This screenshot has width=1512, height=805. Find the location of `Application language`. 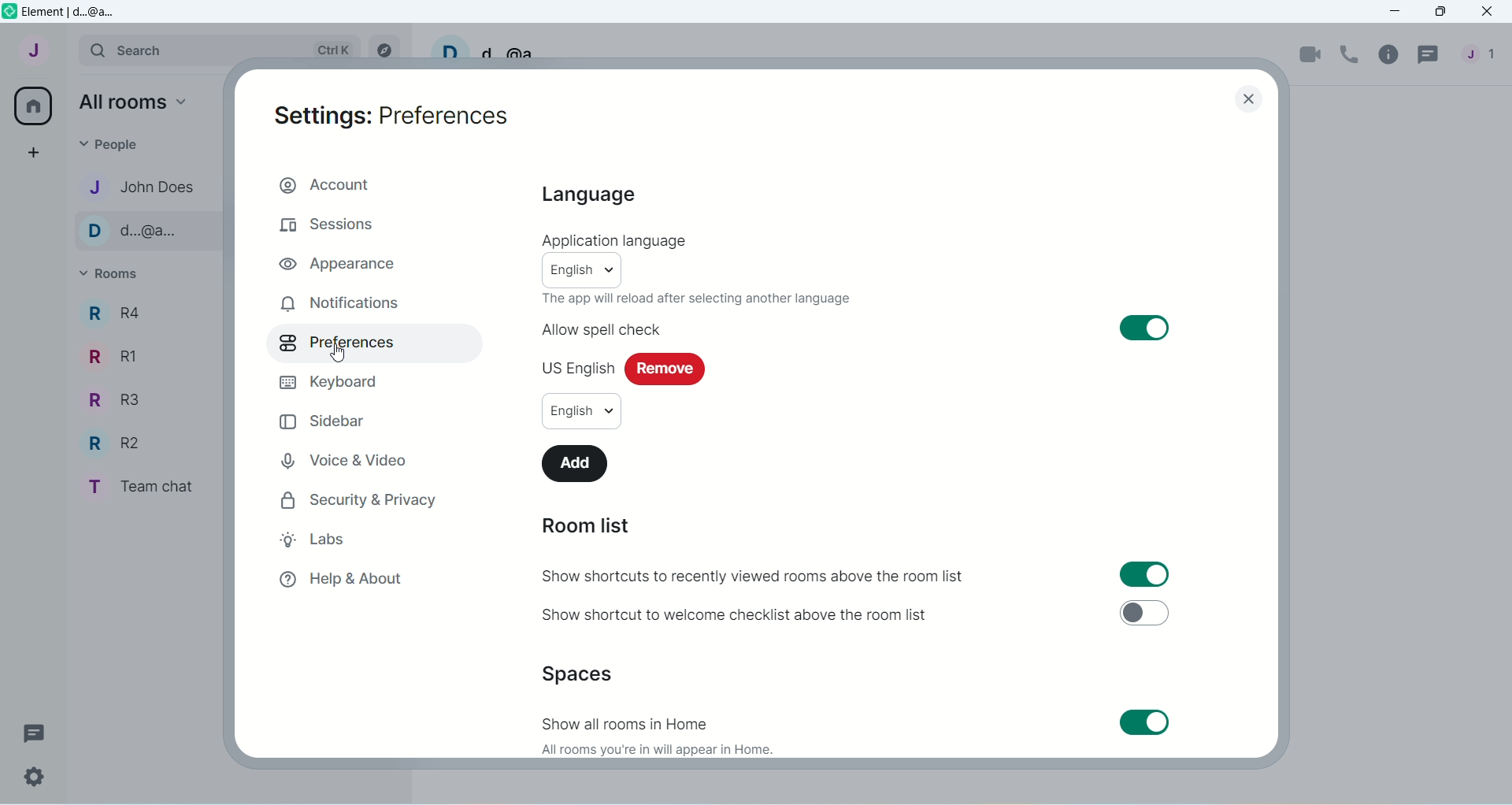

Application language is located at coordinates (621, 240).